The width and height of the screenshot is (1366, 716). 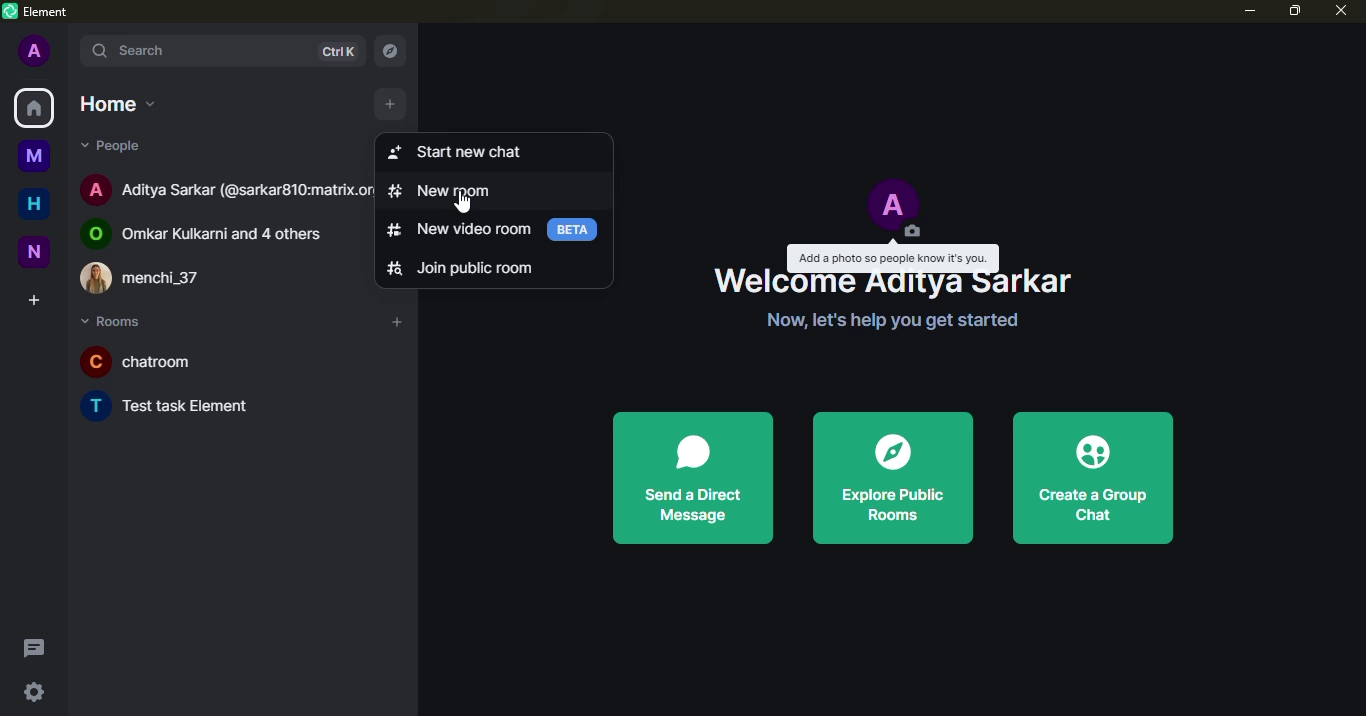 What do you see at coordinates (114, 323) in the screenshot?
I see `rooms` at bounding box center [114, 323].